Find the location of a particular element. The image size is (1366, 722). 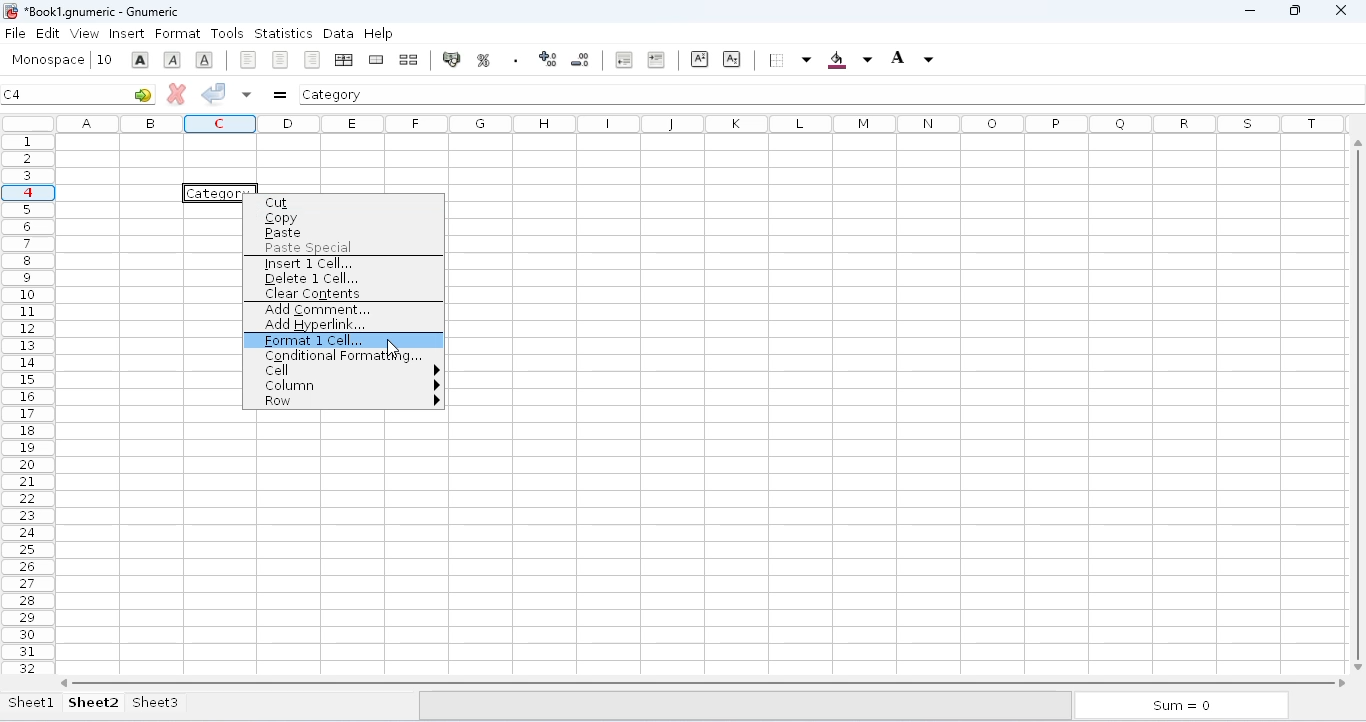

row is located at coordinates (350, 402).